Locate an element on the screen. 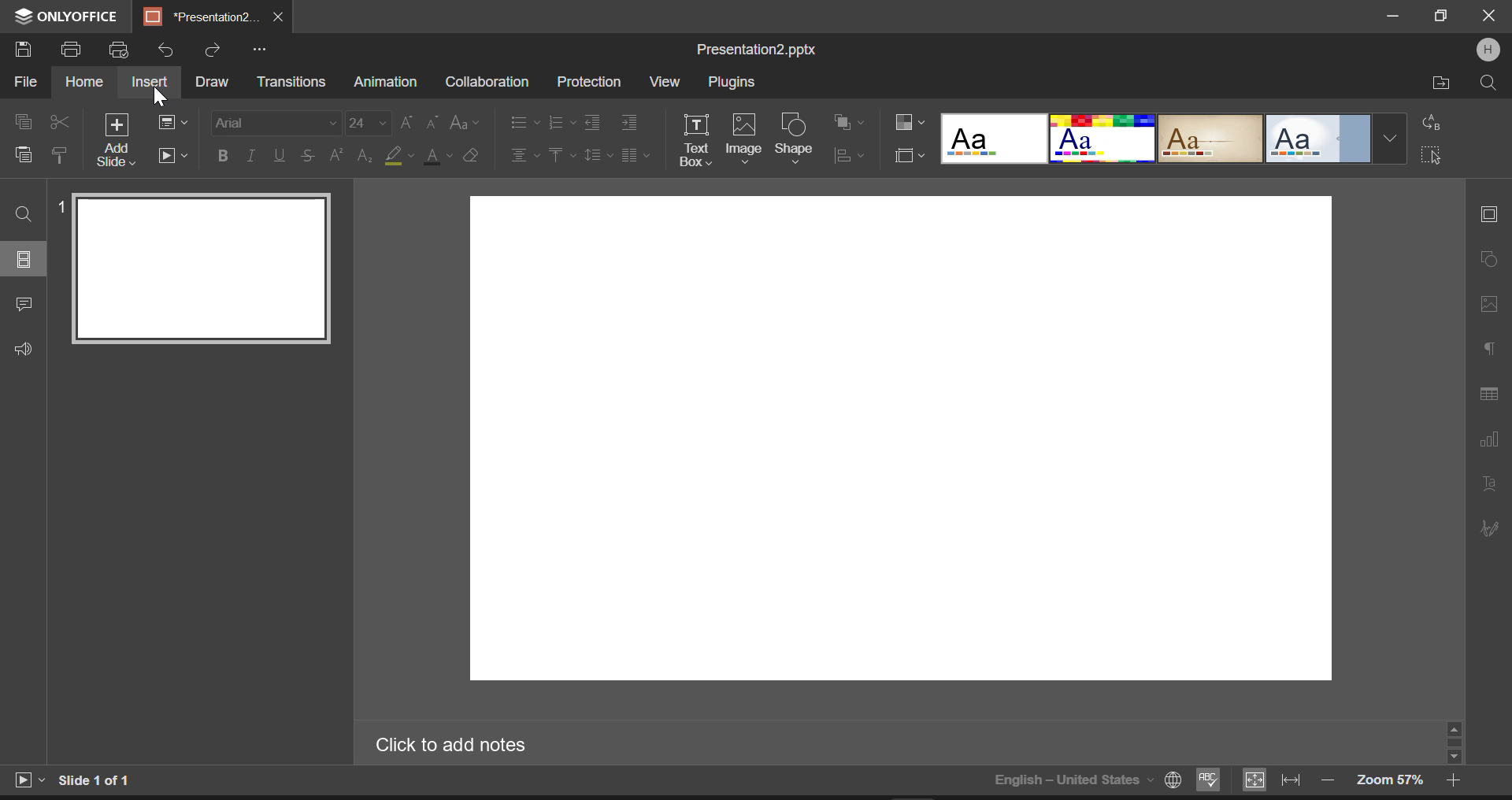  Close is located at coordinates (1488, 17).